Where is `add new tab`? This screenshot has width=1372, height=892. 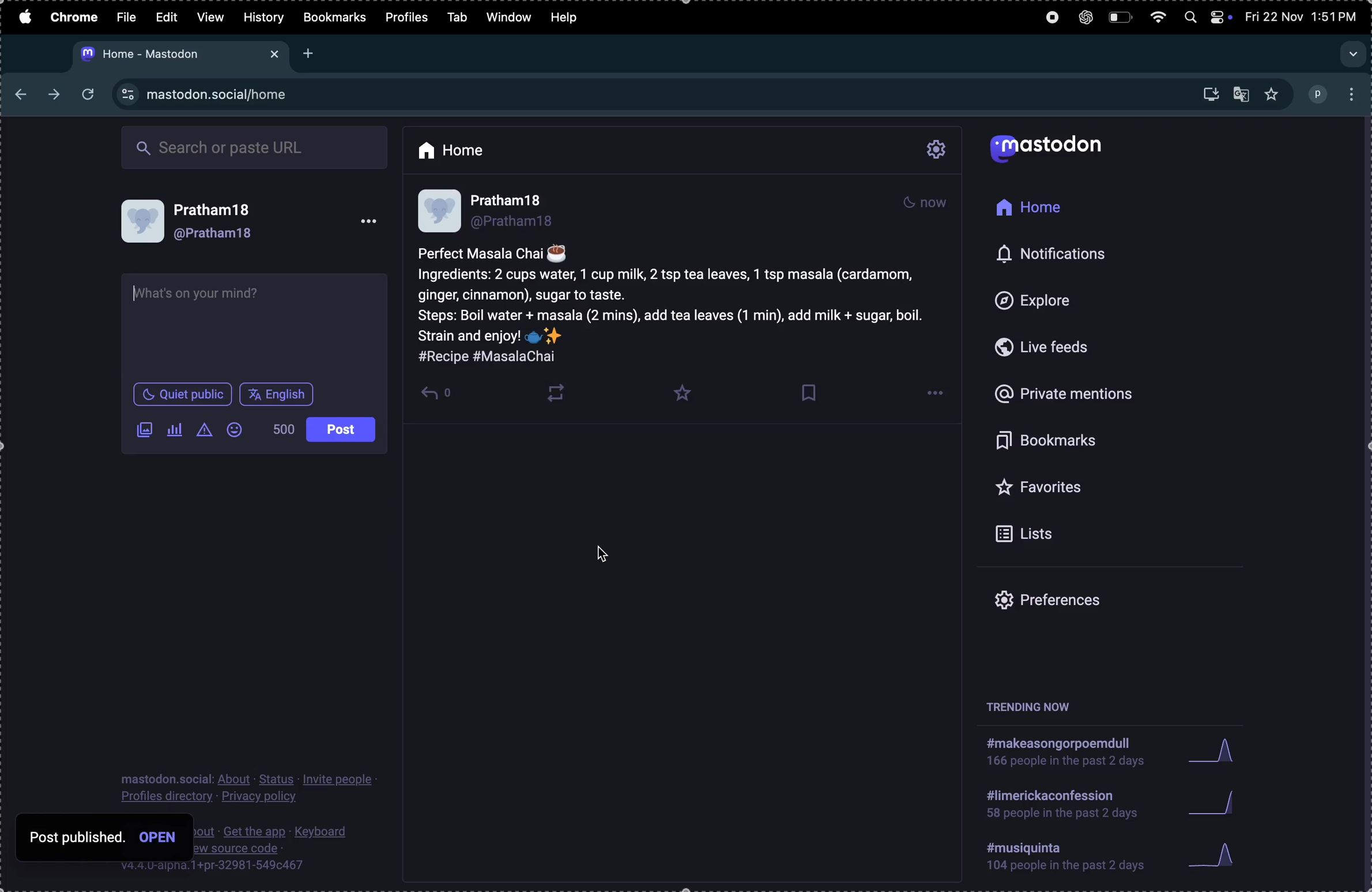
add new tab is located at coordinates (309, 55).